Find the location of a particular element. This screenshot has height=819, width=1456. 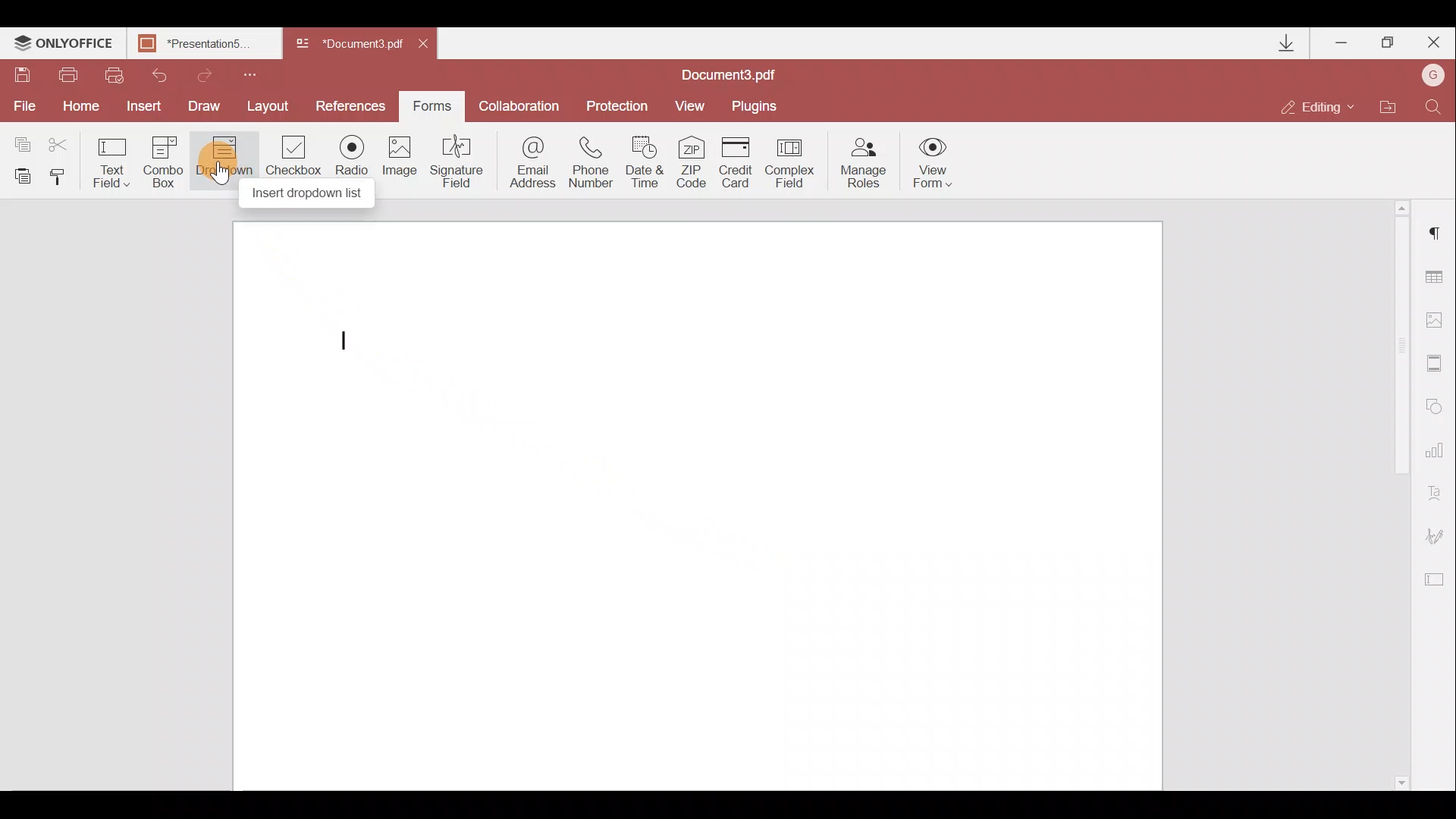

ZIP code is located at coordinates (695, 162).